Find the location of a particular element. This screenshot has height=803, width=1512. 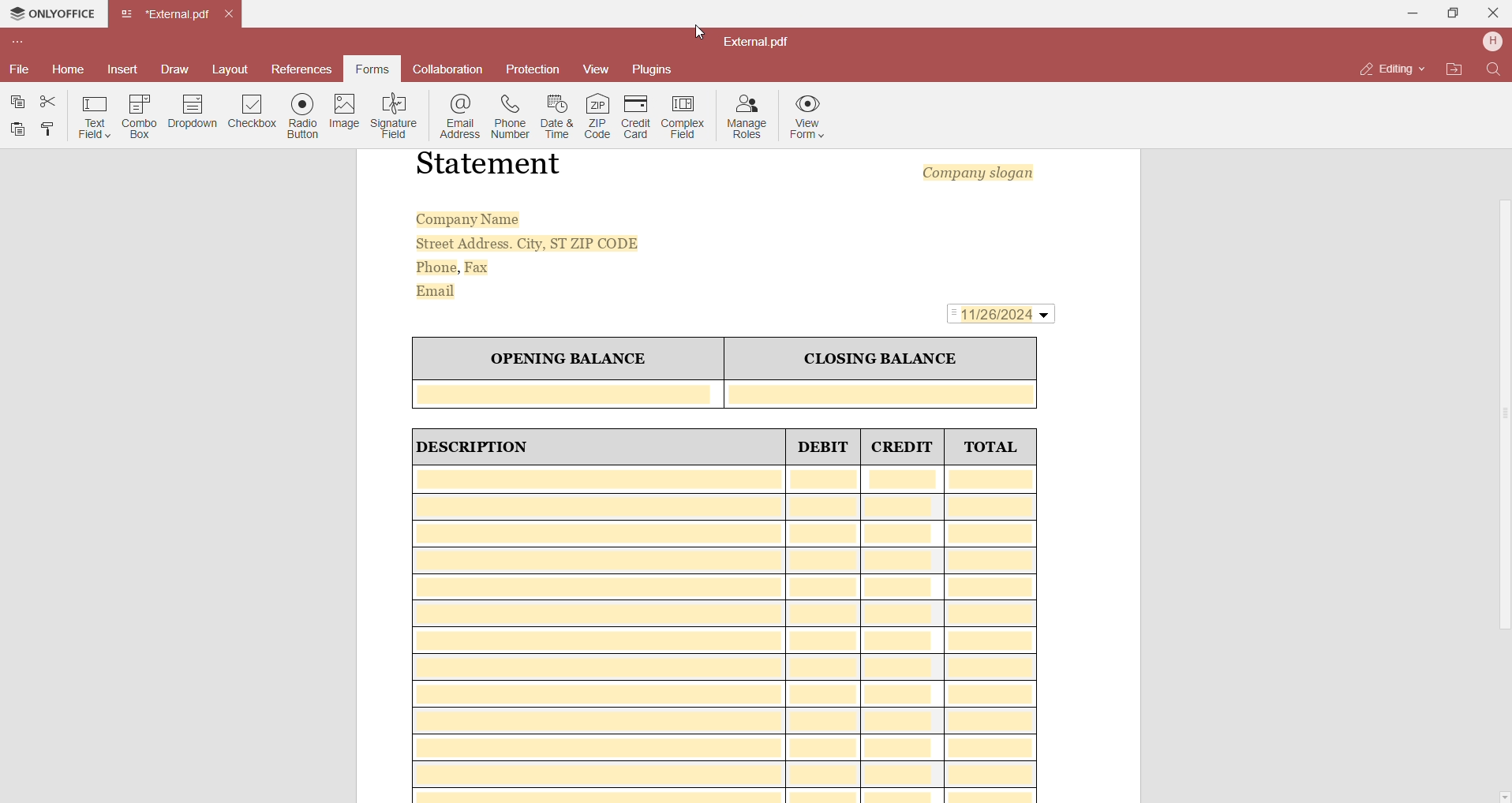

Manage Roles is located at coordinates (748, 116).